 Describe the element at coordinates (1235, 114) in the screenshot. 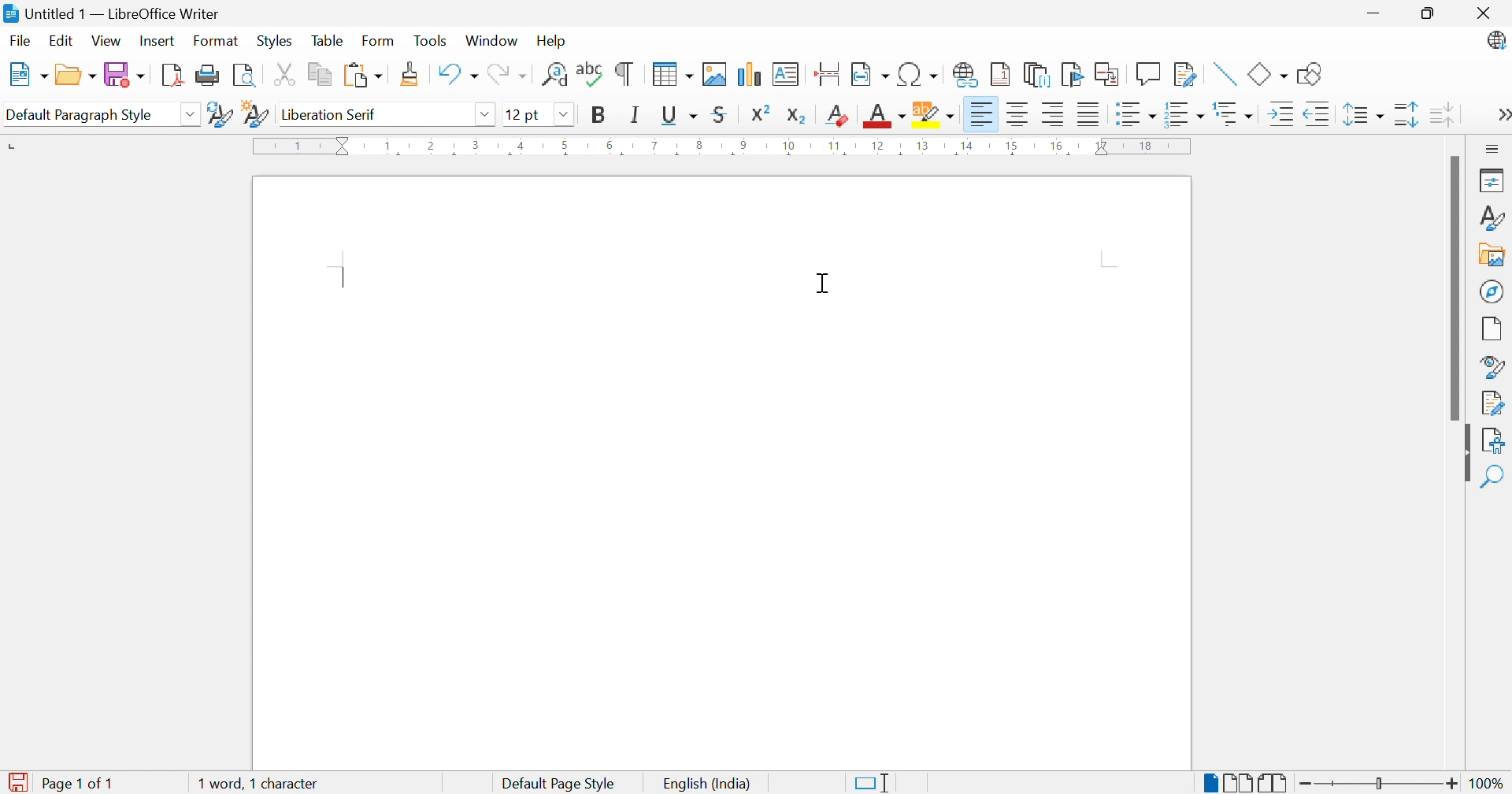

I see `Select Outline Format` at that location.